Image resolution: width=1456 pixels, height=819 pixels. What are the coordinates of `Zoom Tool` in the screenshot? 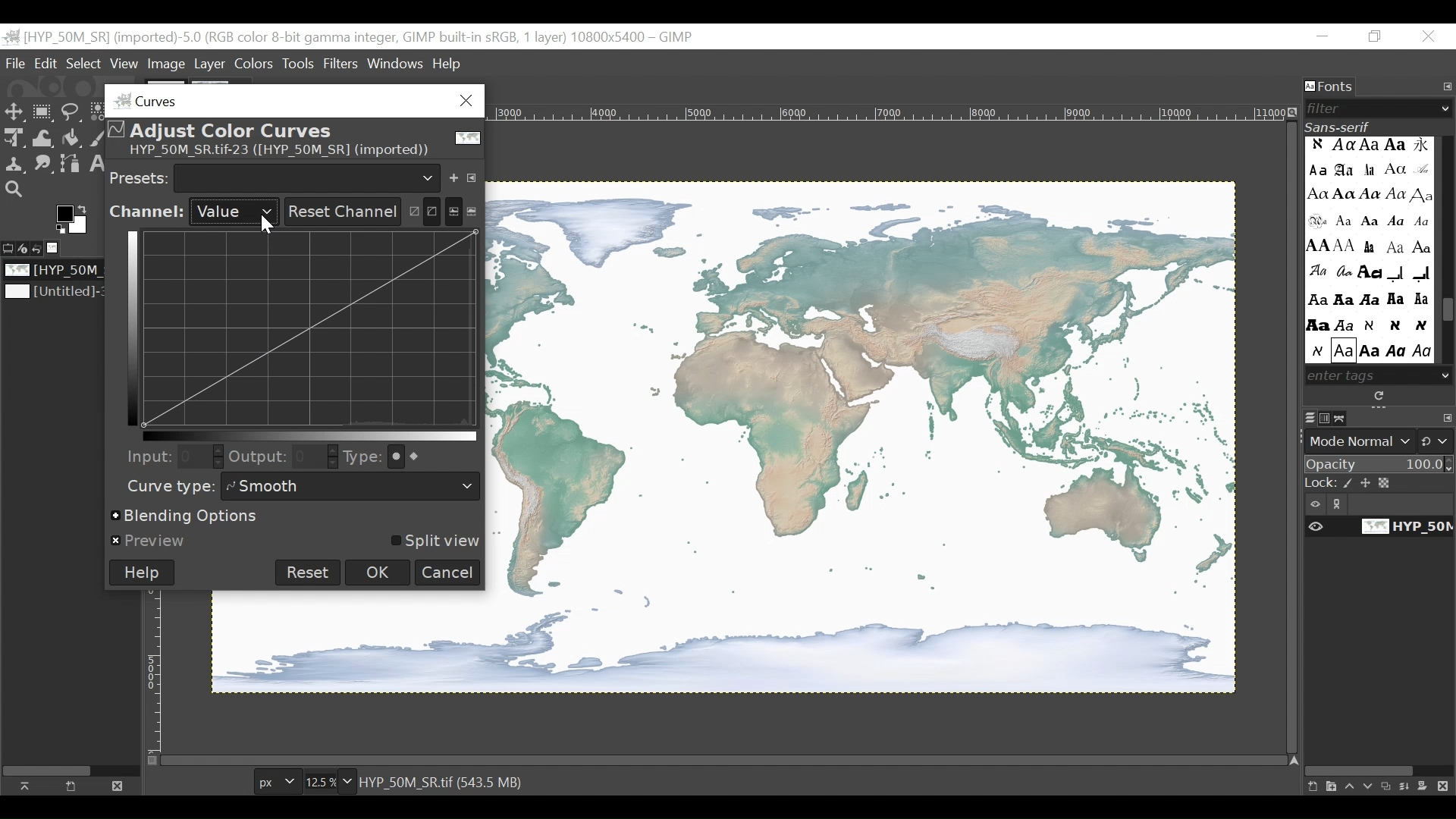 It's located at (15, 190).